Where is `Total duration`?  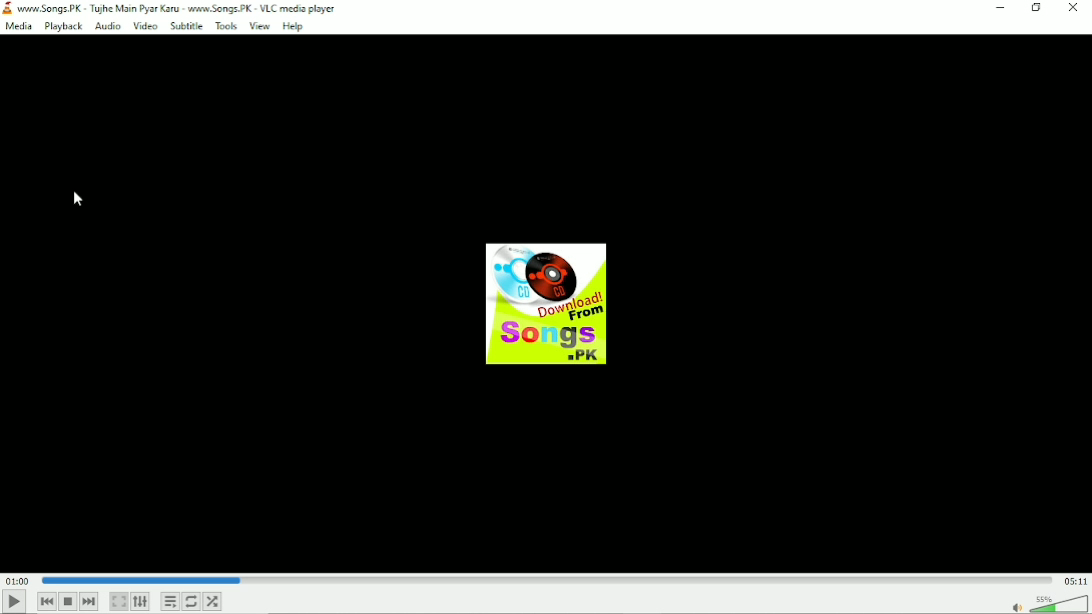 Total duration is located at coordinates (1076, 582).